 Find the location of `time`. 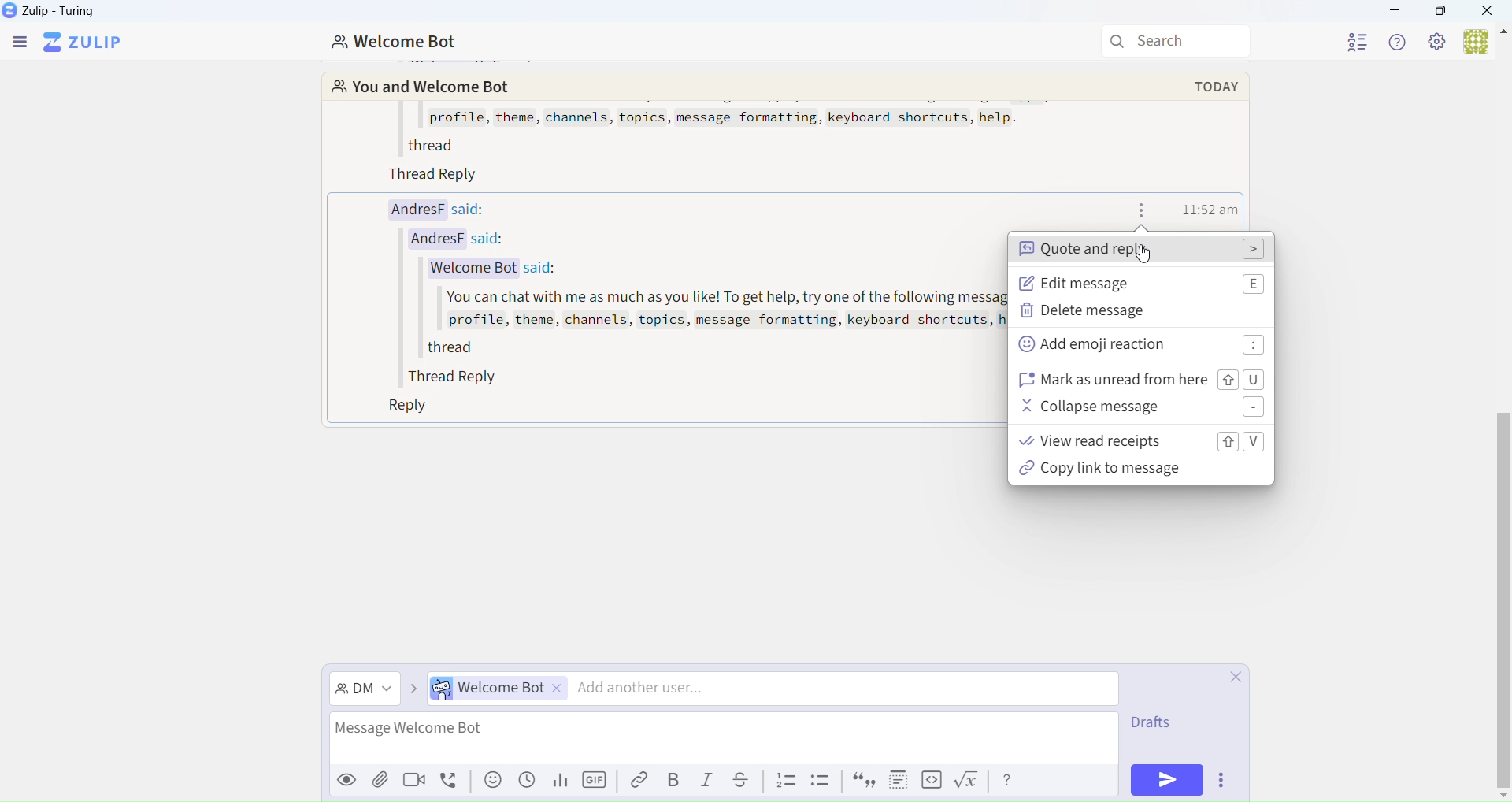

time is located at coordinates (1211, 208).